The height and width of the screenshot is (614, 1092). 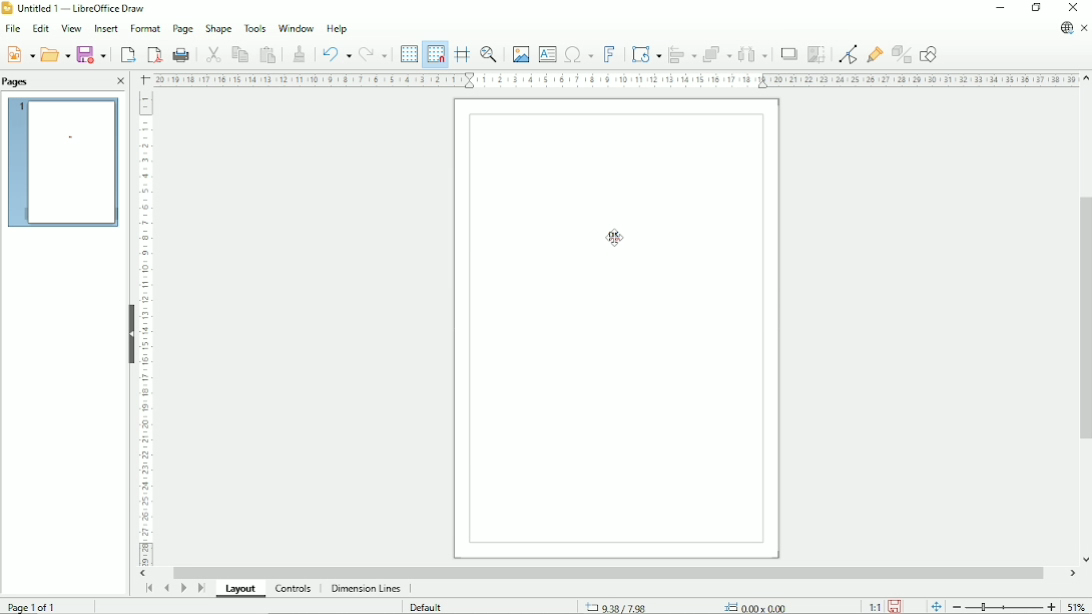 I want to click on Show draw functions, so click(x=928, y=53).